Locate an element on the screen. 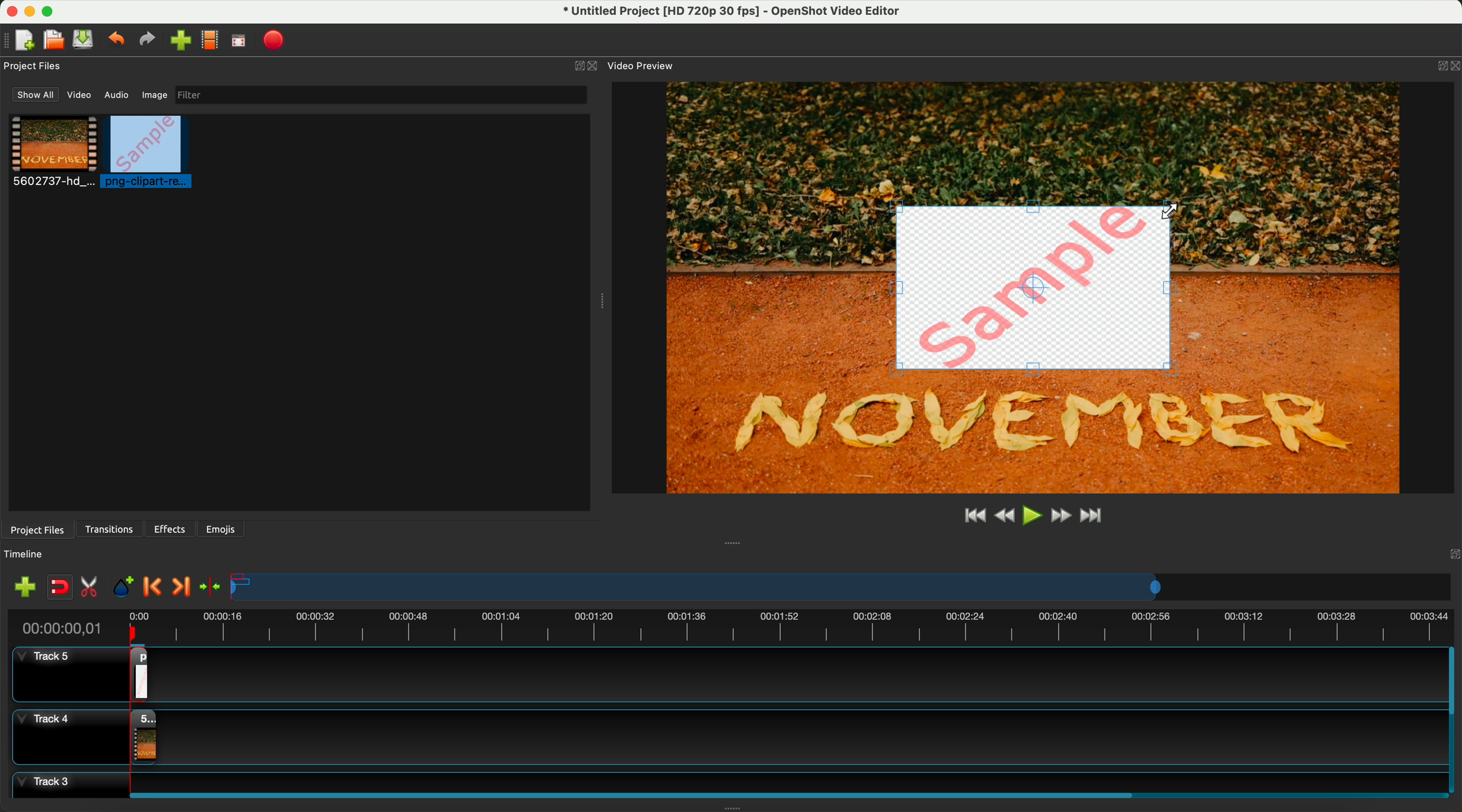 The image size is (1462, 812). open project is located at coordinates (53, 41).